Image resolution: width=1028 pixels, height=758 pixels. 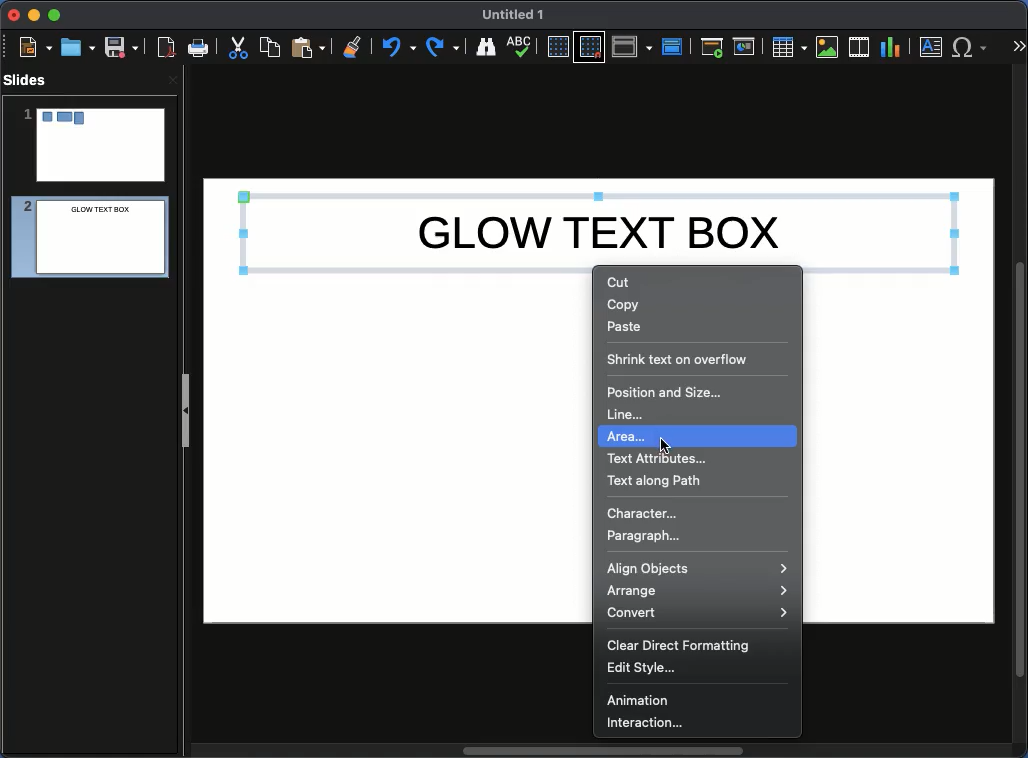 What do you see at coordinates (677, 359) in the screenshot?
I see `Shrink text on overflow` at bounding box center [677, 359].